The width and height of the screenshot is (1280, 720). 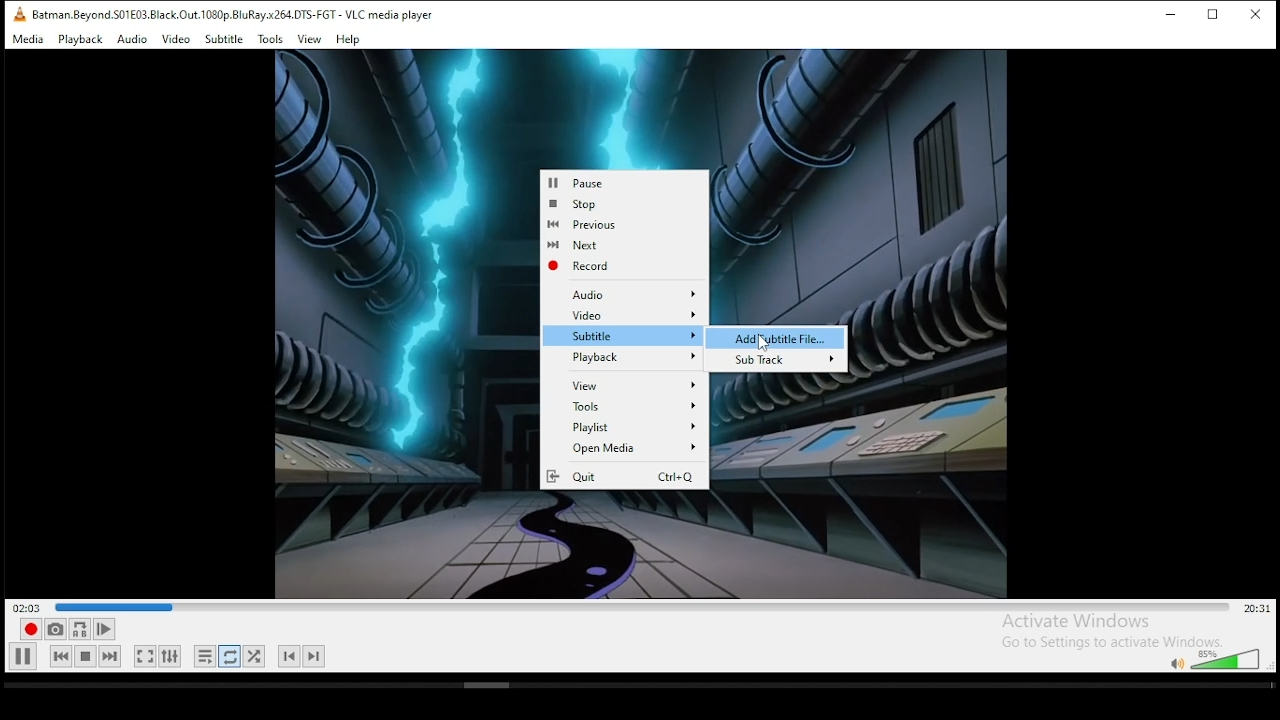 I want to click on Record, so click(x=617, y=266).